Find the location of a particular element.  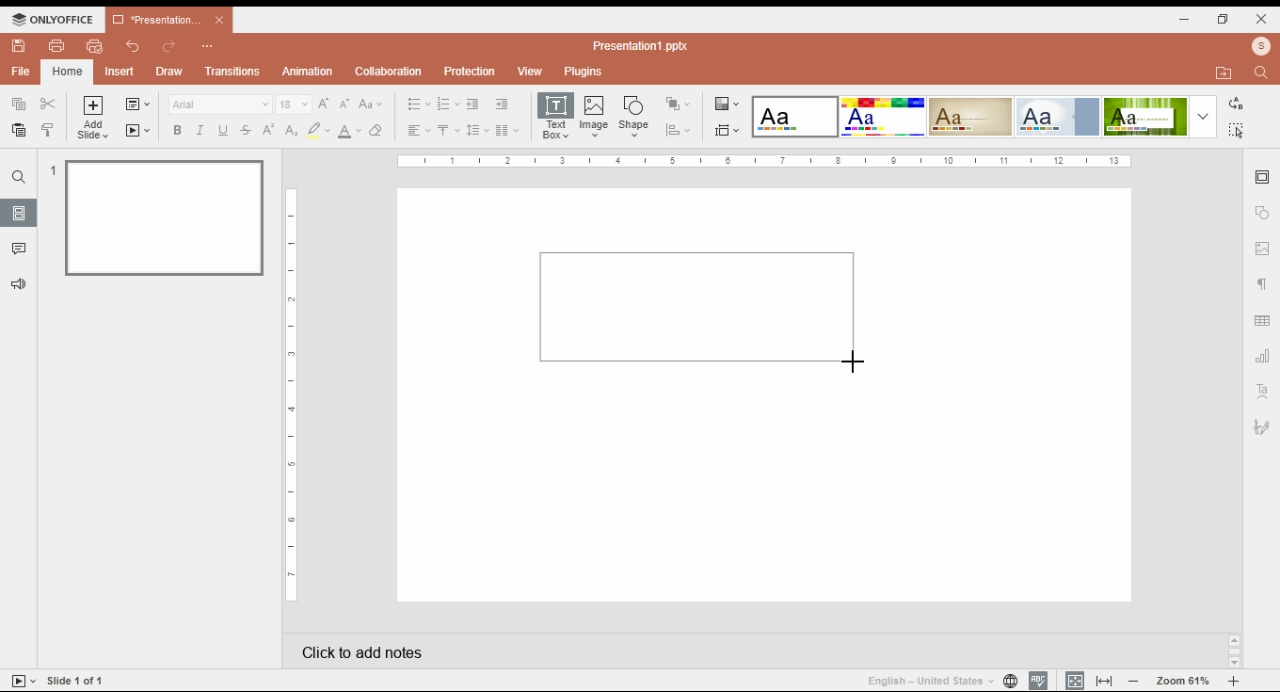

paragraph settings is located at coordinates (1261, 285).